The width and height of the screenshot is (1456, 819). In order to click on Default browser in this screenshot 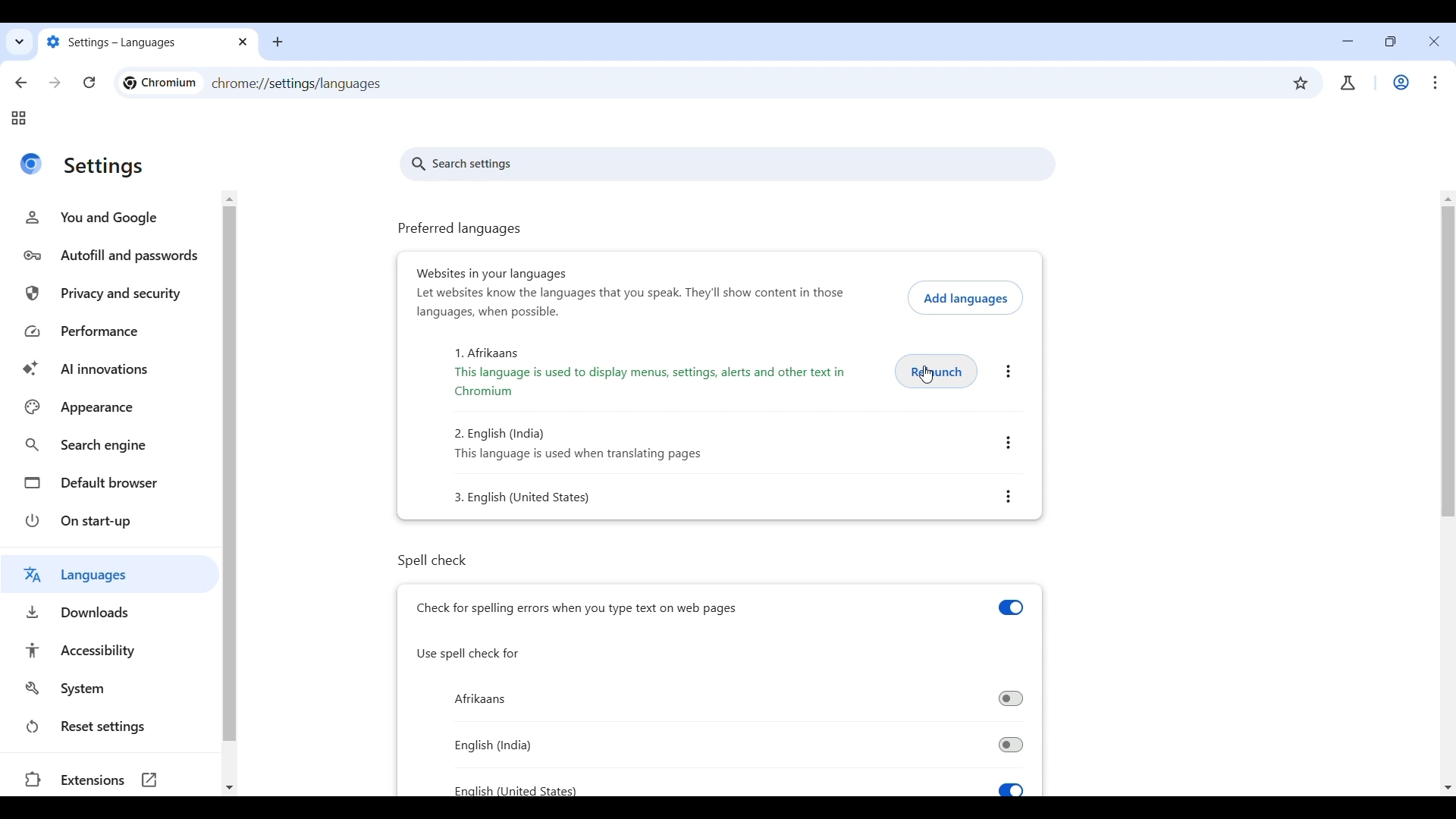, I will do `click(113, 482)`.